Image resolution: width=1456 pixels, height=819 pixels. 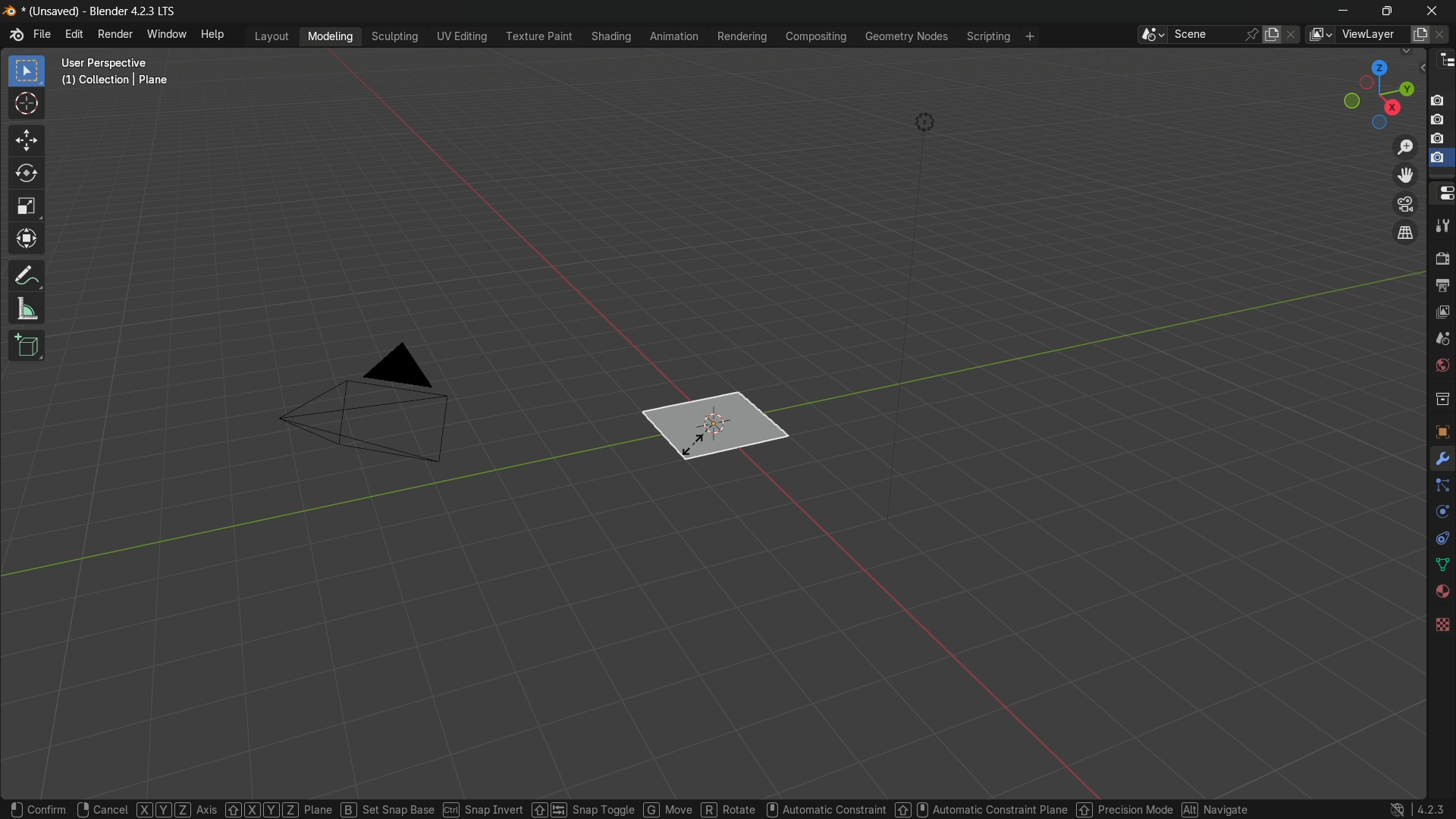 I want to click on 4.2.3, so click(x=1414, y=807).